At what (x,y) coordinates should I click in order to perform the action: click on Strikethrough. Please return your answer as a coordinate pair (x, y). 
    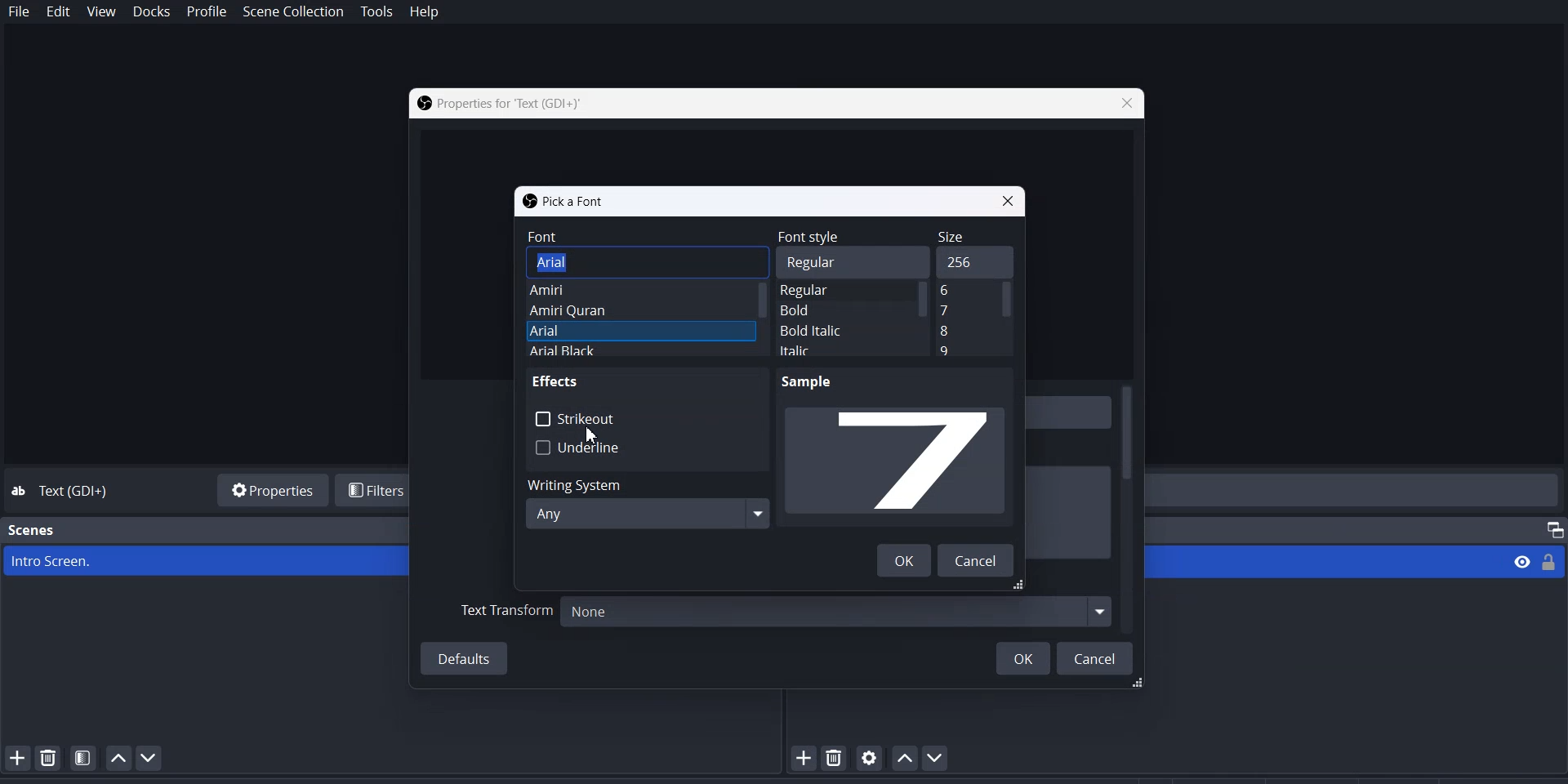
    Looking at the image, I should click on (580, 416).